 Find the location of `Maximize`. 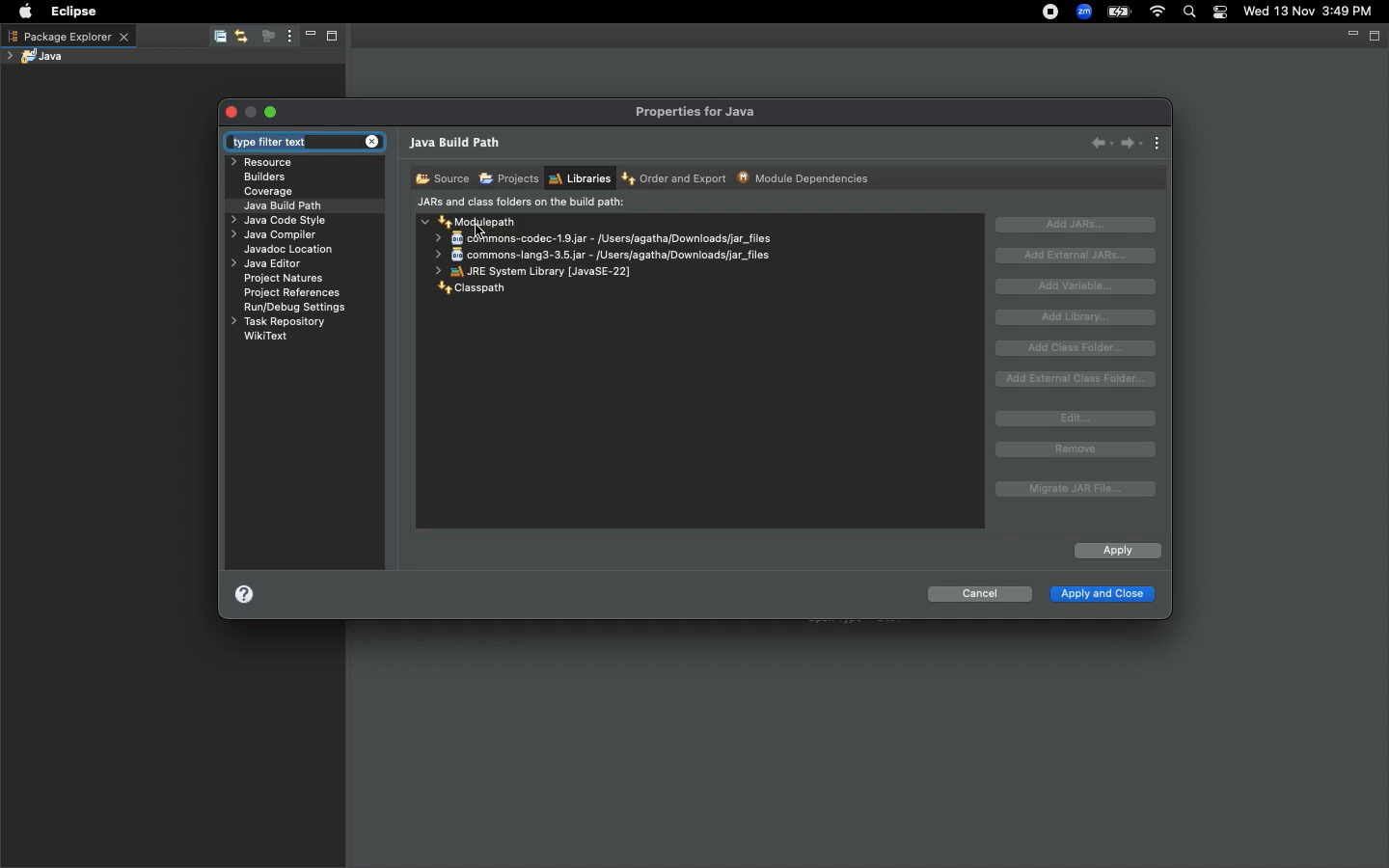

Maximize is located at coordinates (338, 38).